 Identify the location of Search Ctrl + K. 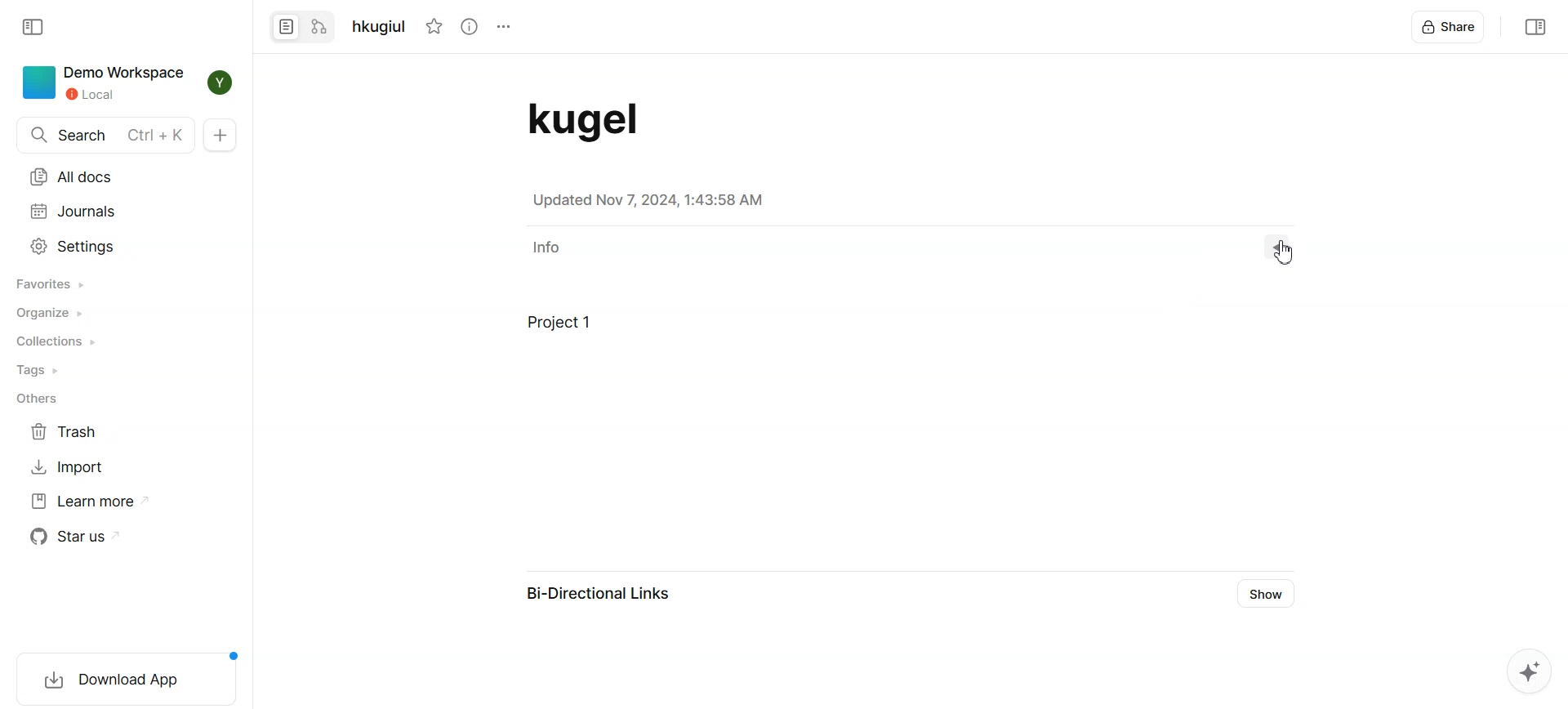
(105, 135).